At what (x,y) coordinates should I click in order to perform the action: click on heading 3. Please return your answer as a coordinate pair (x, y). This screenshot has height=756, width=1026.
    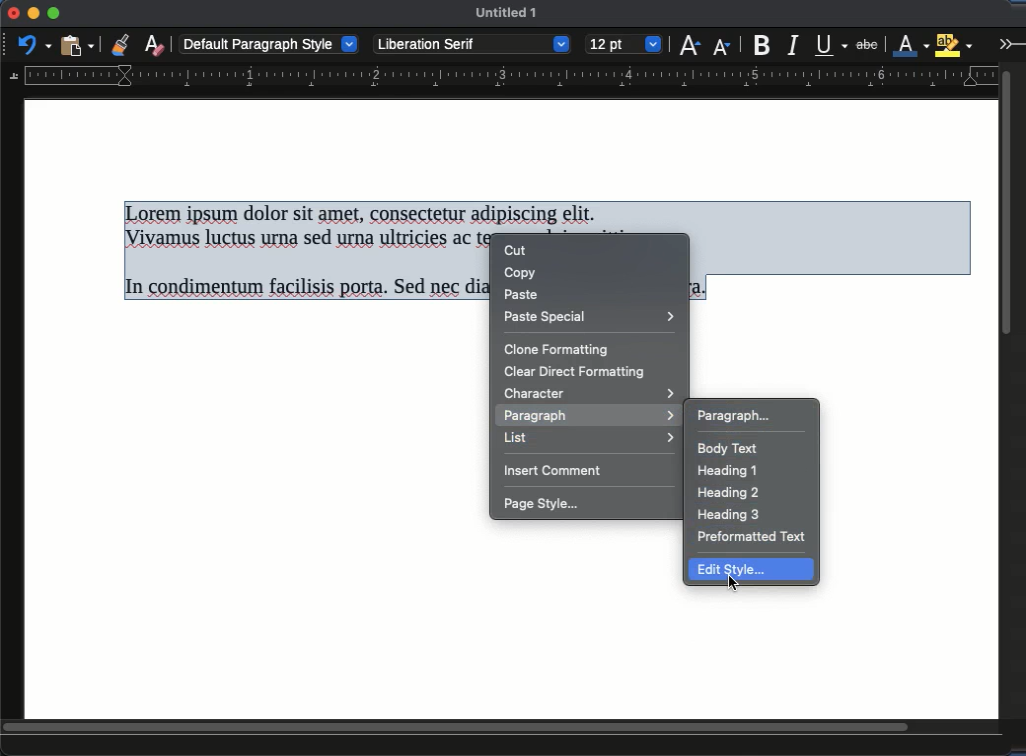
    Looking at the image, I should click on (730, 514).